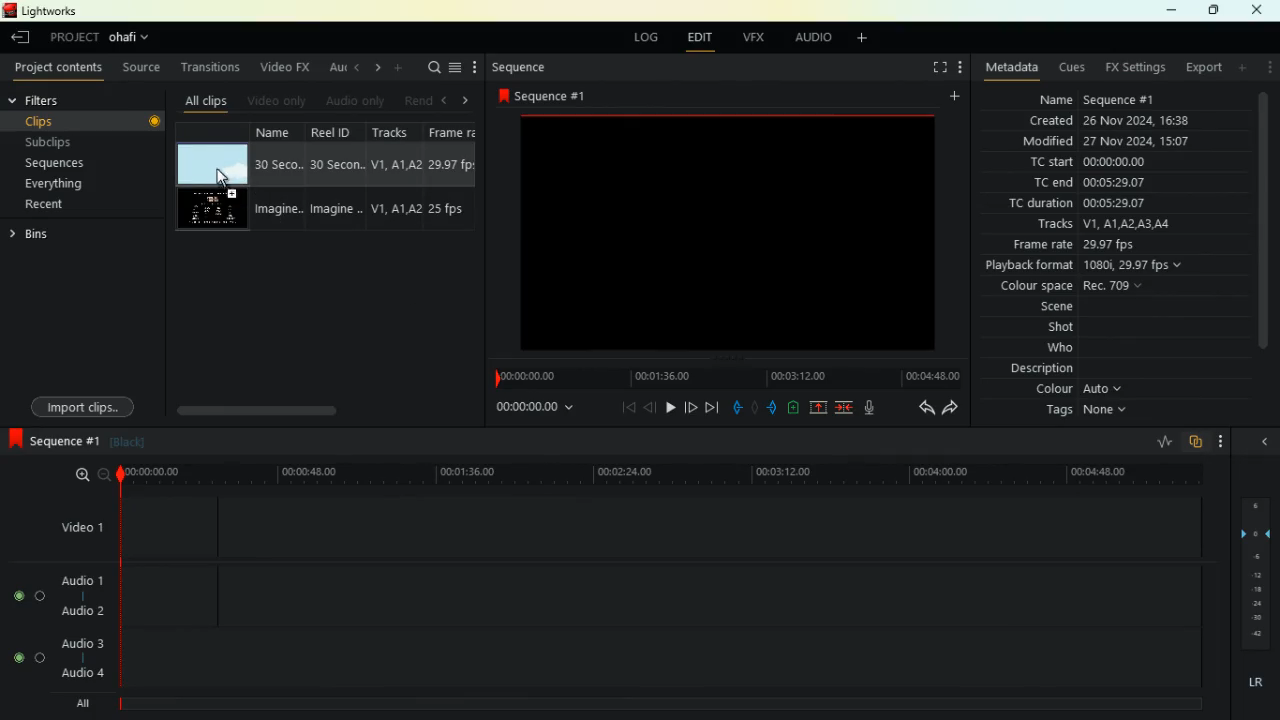  Describe the element at coordinates (279, 102) in the screenshot. I see `videos only` at that location.